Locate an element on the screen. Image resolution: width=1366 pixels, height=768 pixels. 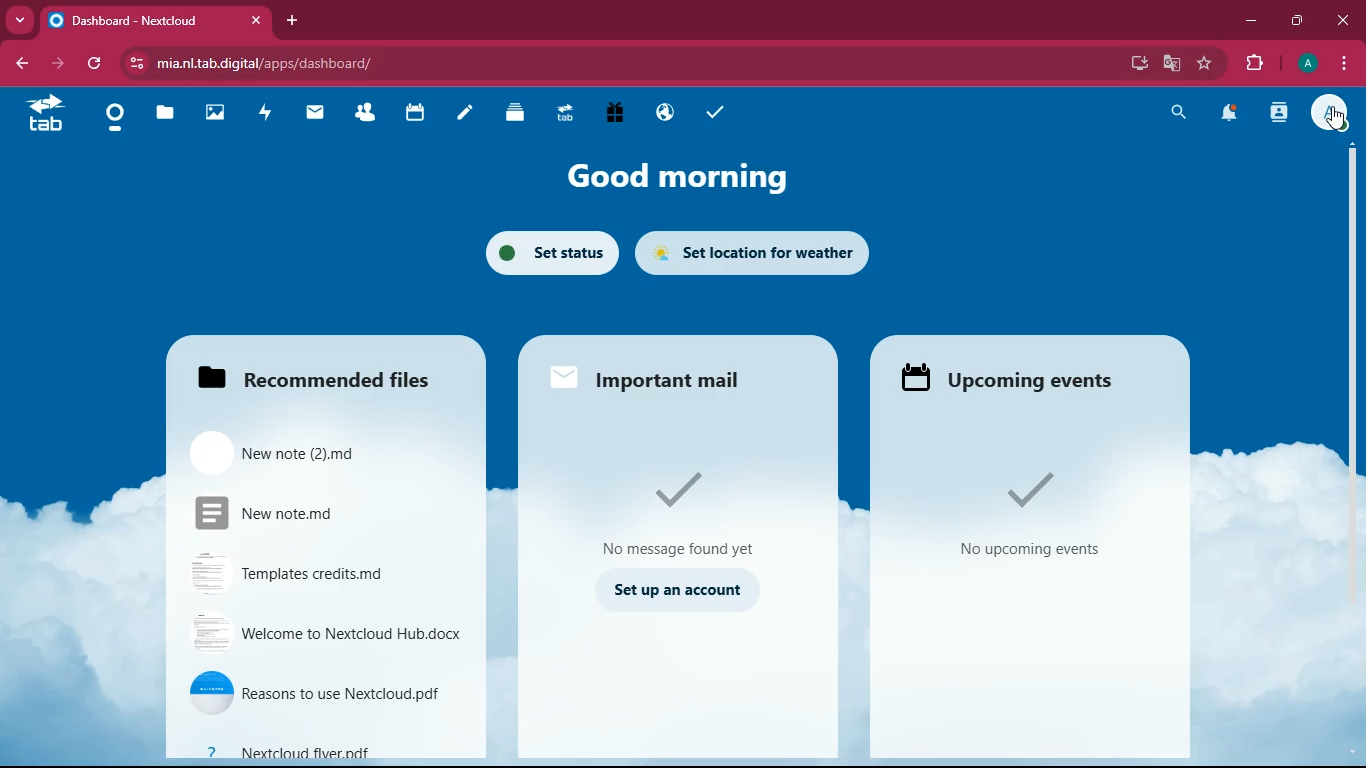
files is located at coordinates (322, 375).